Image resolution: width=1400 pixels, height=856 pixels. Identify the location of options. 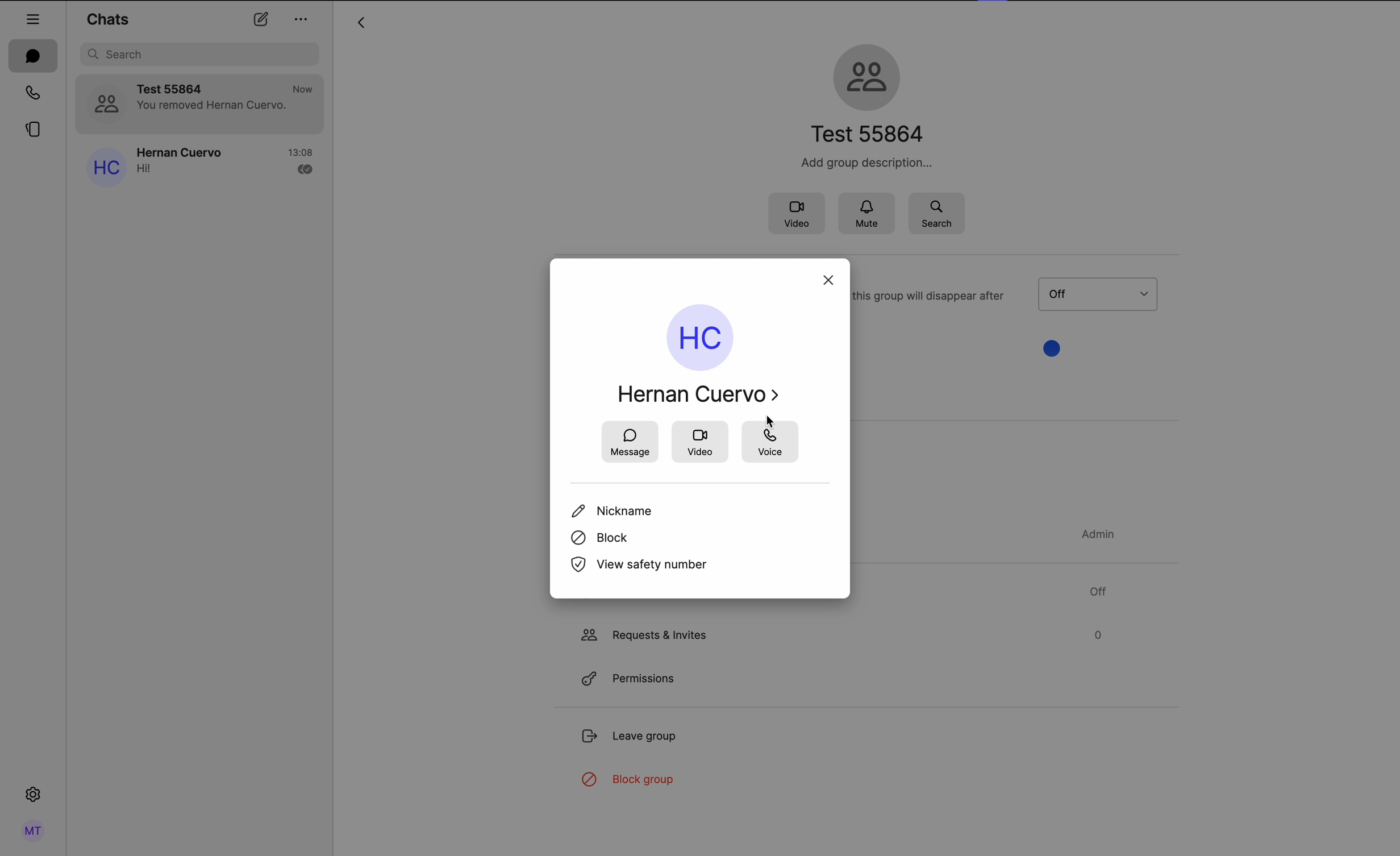
(302, 19).